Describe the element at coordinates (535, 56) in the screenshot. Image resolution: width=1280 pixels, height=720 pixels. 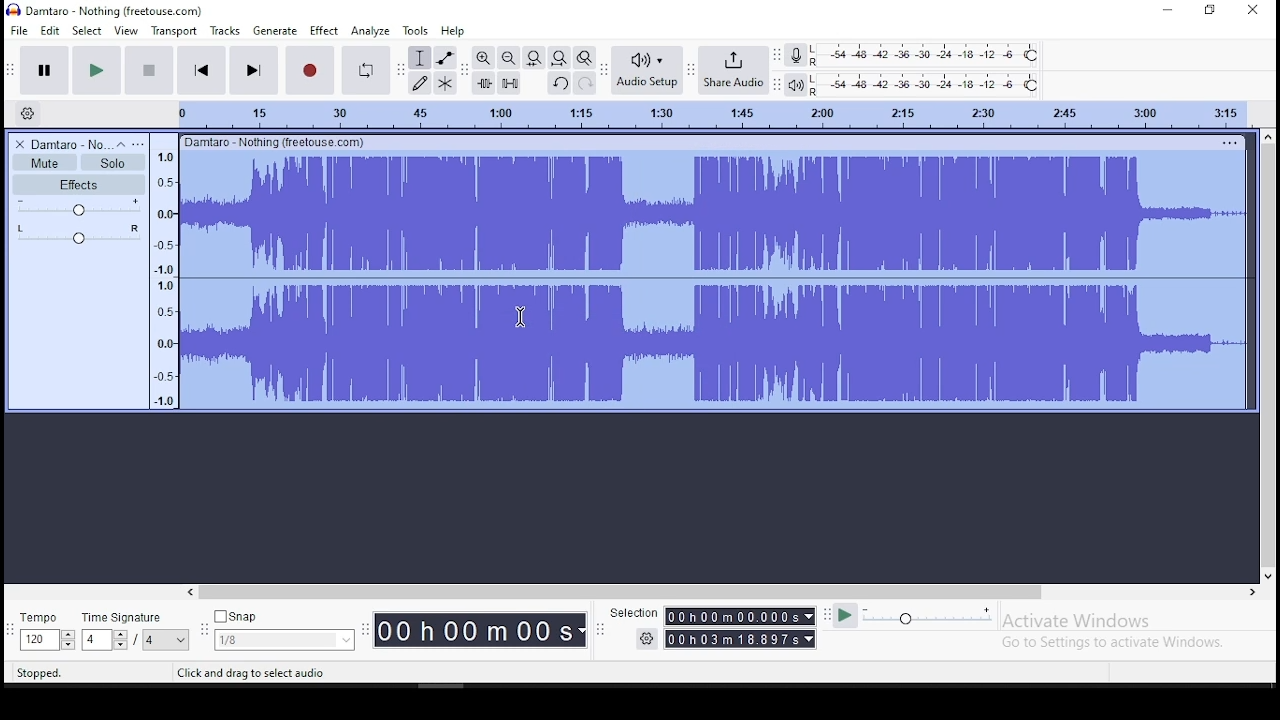
I see `fit project to width` at that location.